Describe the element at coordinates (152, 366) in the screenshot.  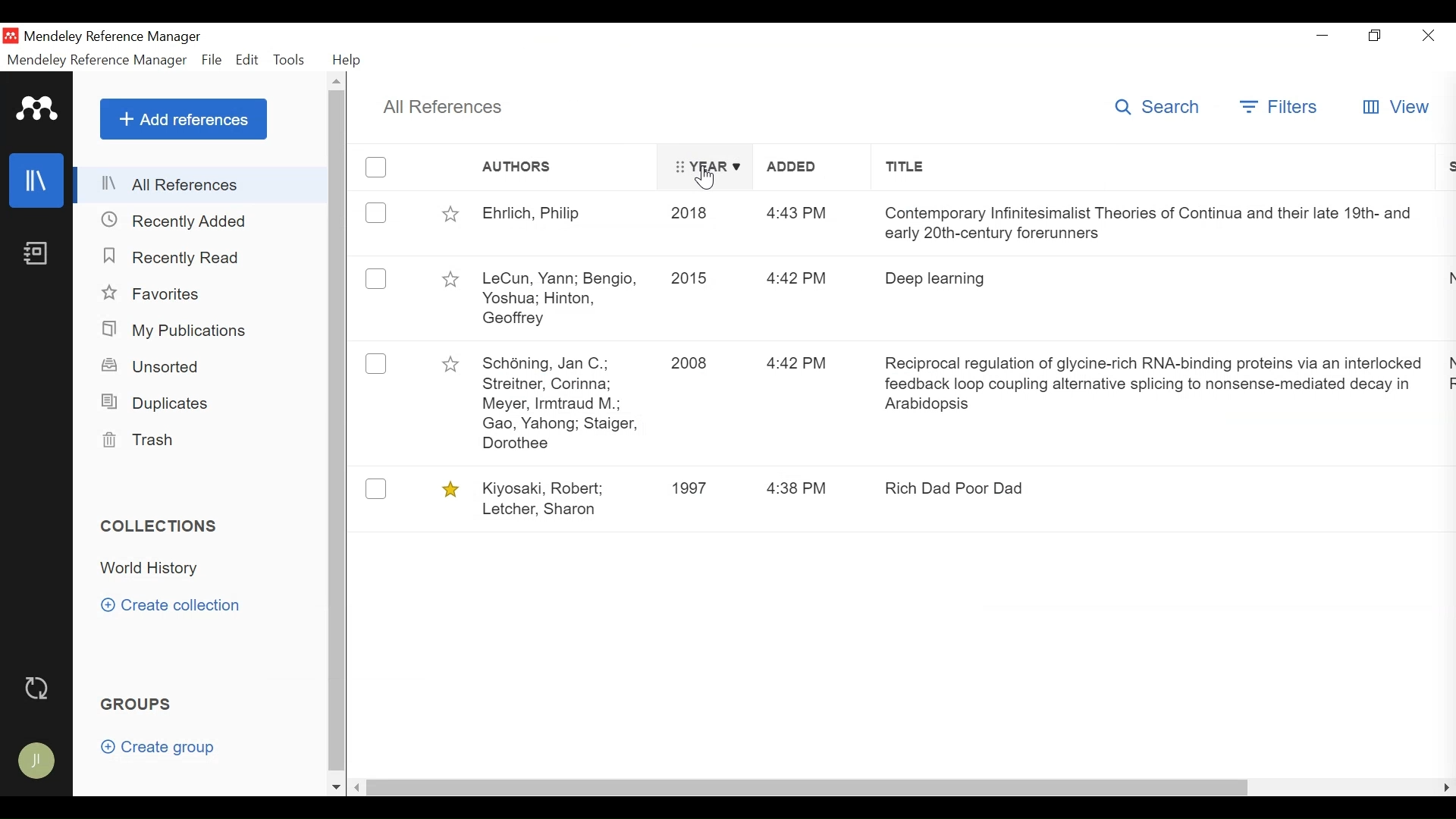
I see `Unsorted` at that location.